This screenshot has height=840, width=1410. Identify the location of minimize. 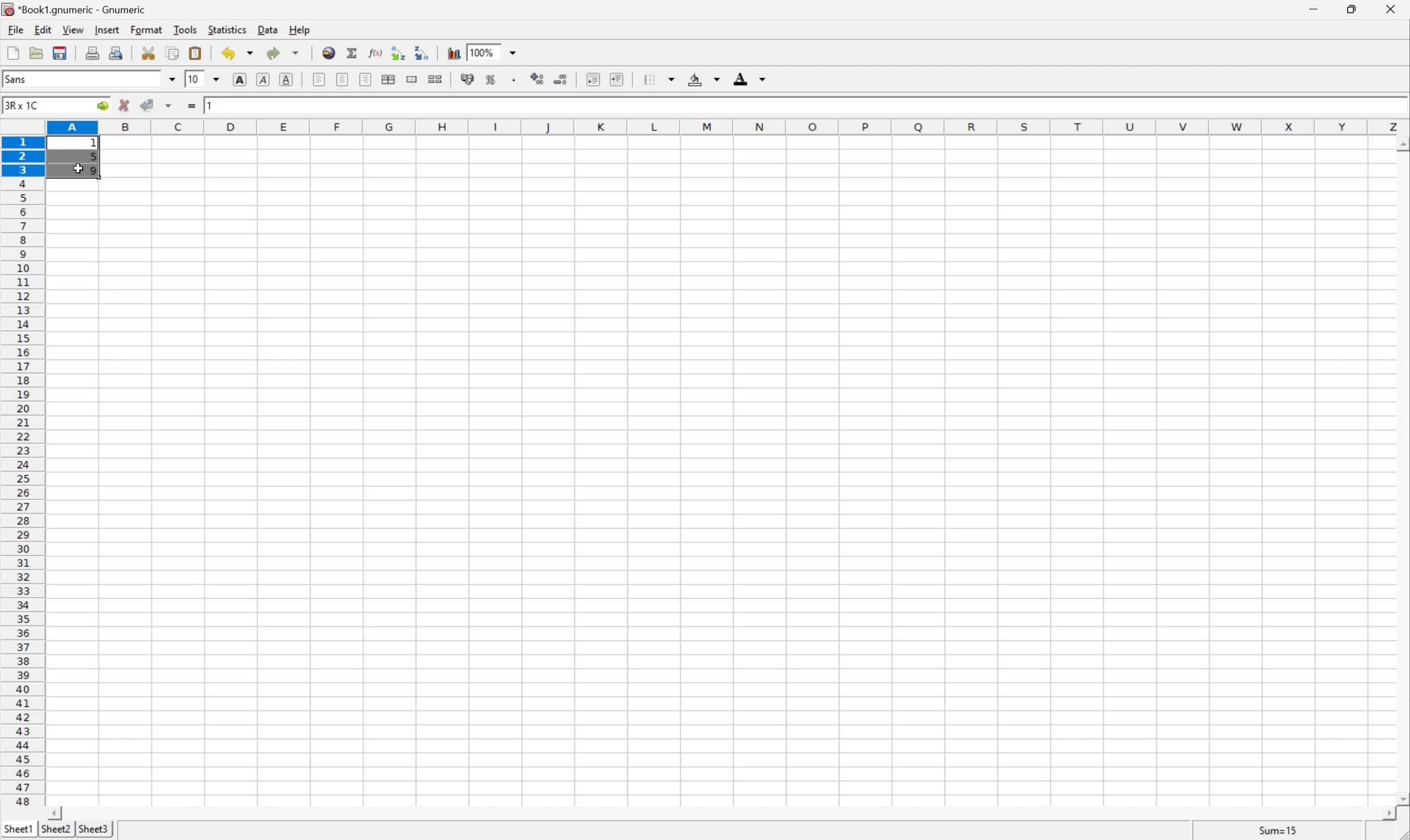
(1316, 7).